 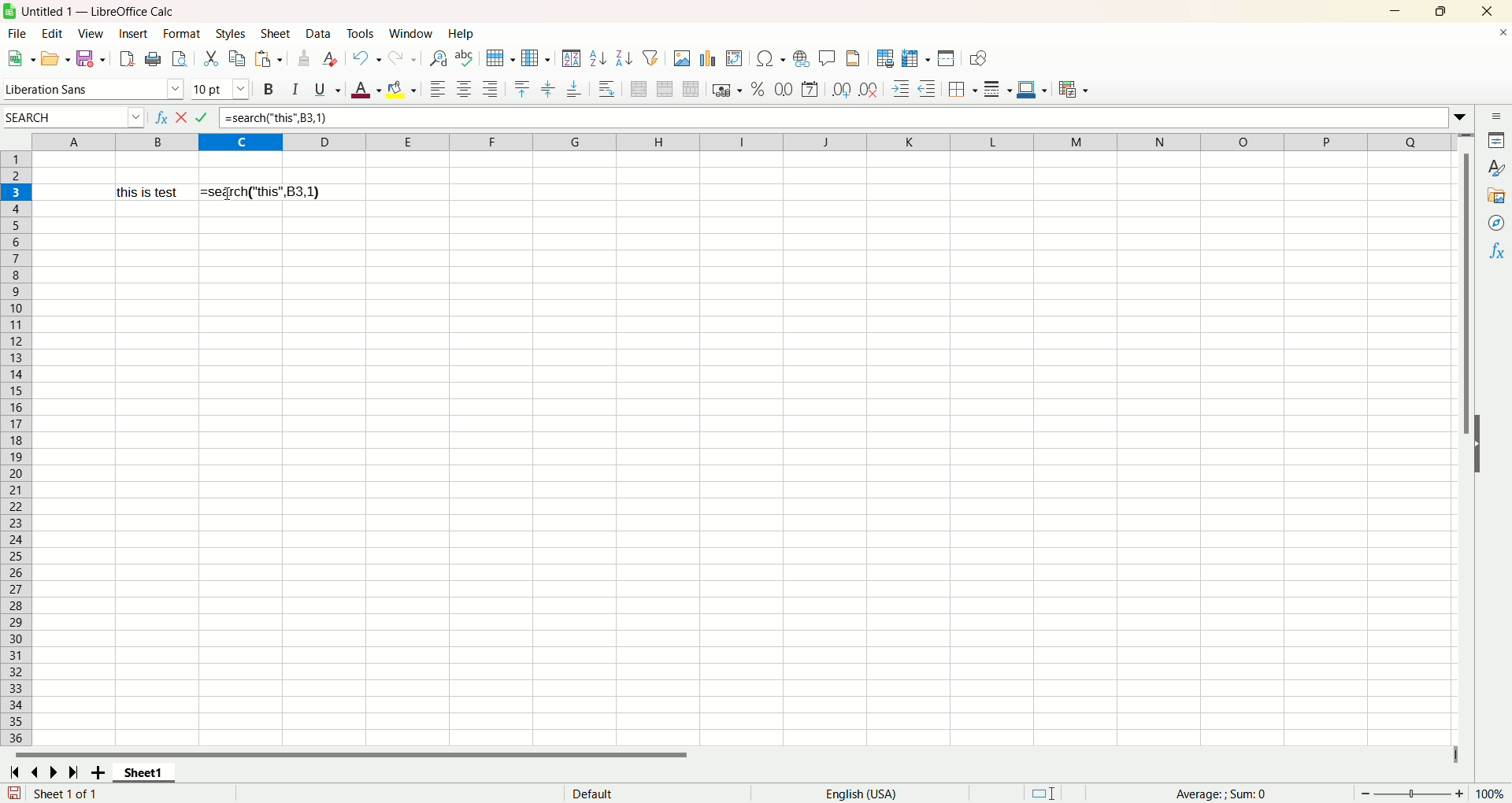 I want to click on last sheet, so click(x=73, y=772).